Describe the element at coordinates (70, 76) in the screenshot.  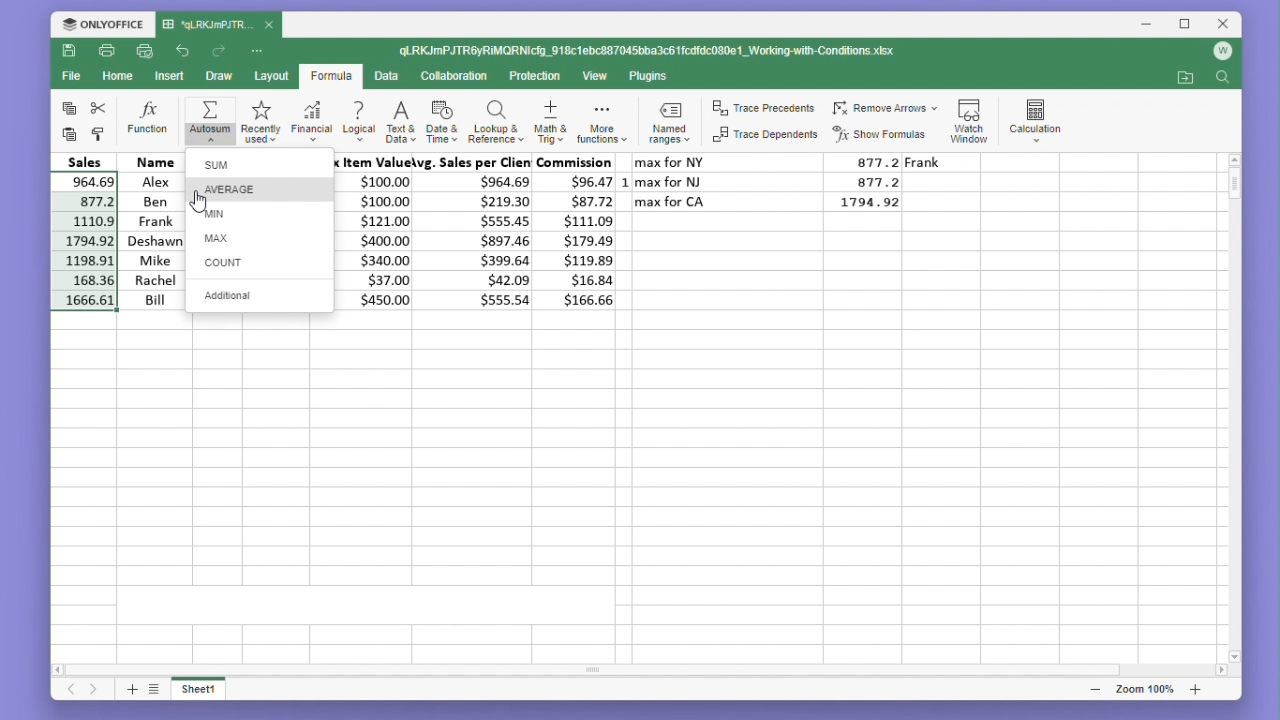
I see `File` at that location.